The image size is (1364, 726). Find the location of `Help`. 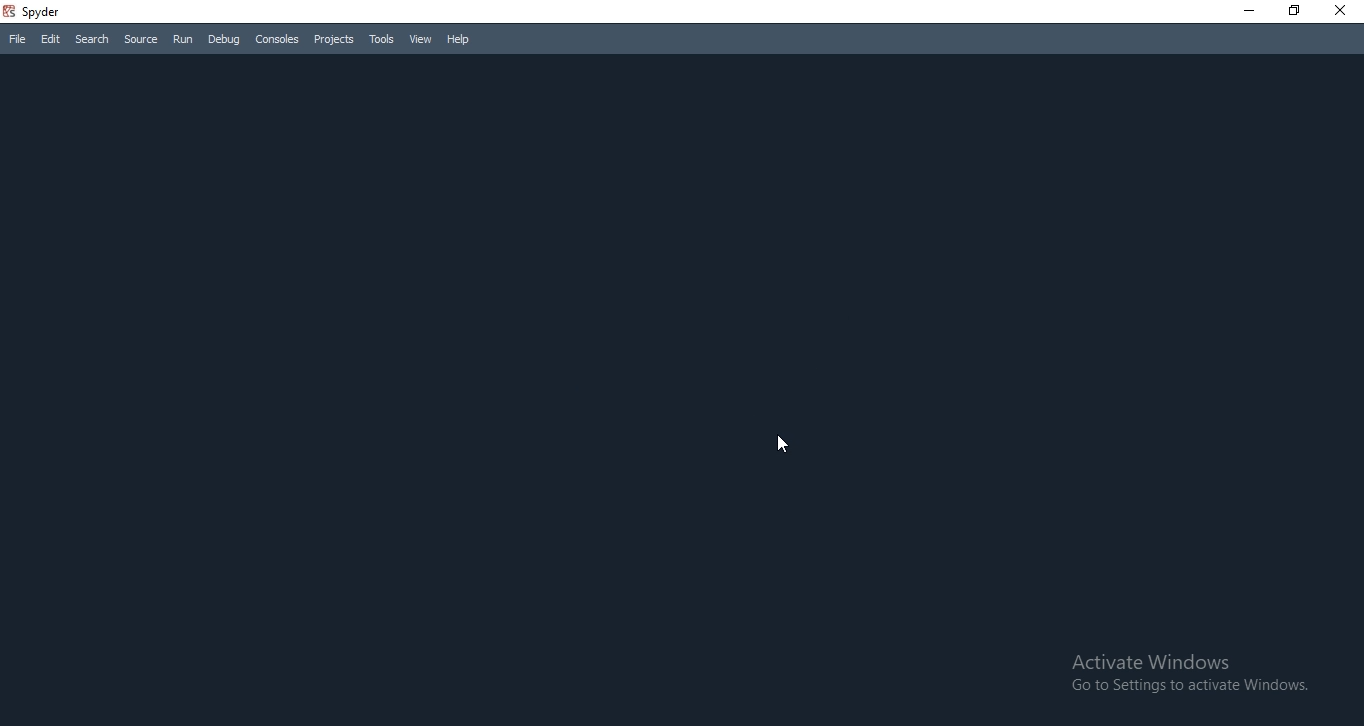

Help is located at coordinates (460, 42).